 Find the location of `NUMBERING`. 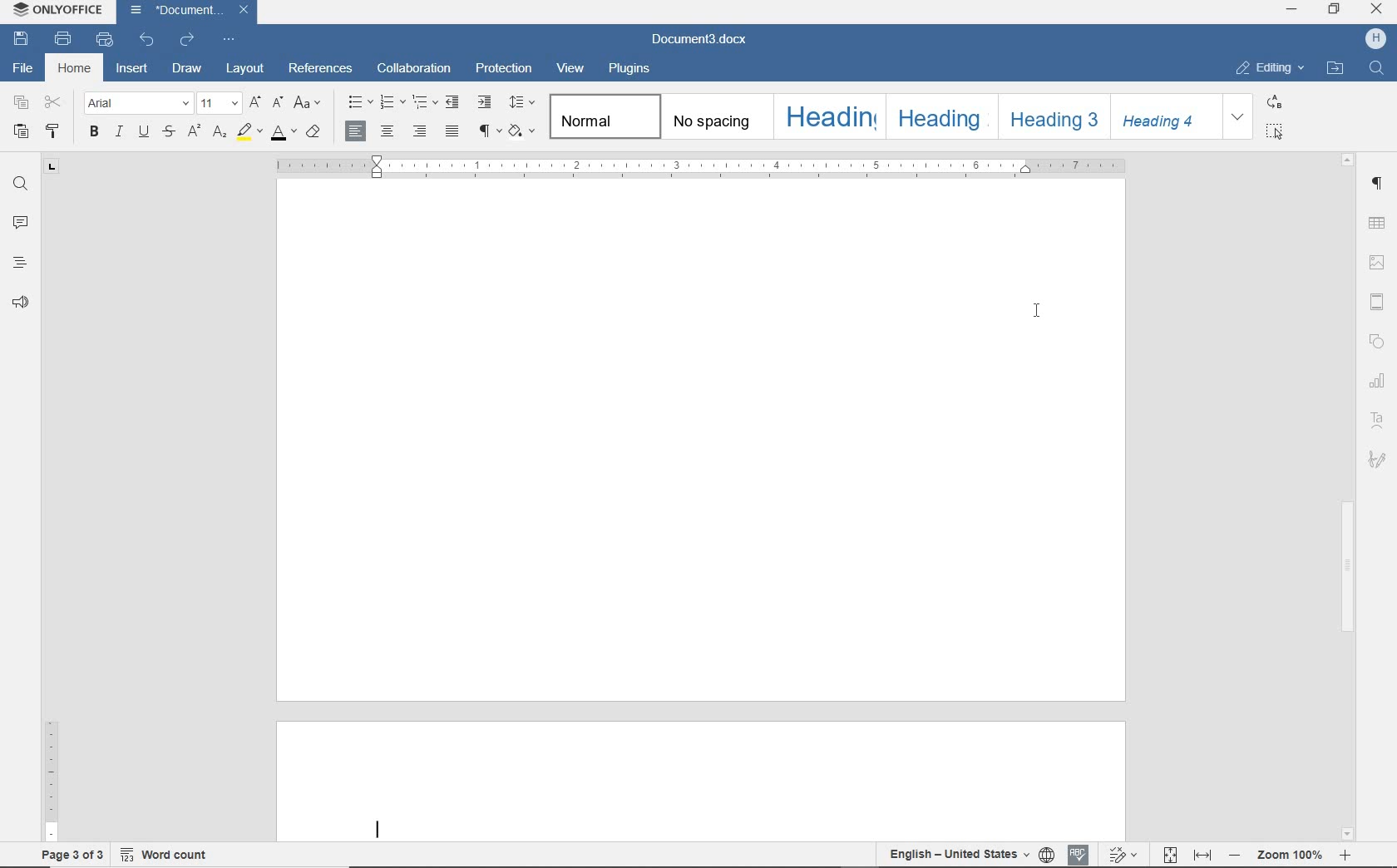

NUMBERING is located at coordinates (391, 103).